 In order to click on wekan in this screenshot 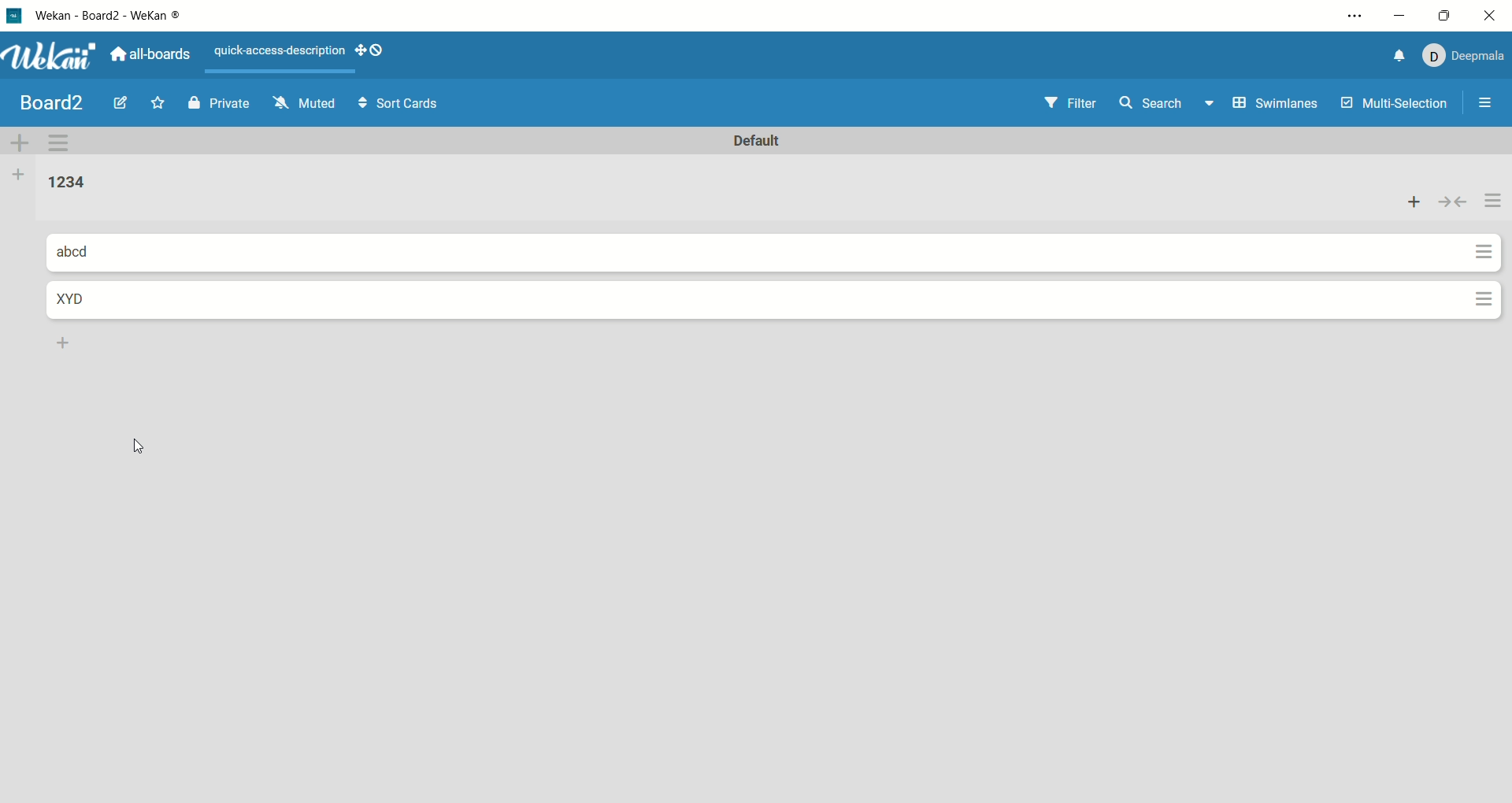, I will do `click(54, 56)`.